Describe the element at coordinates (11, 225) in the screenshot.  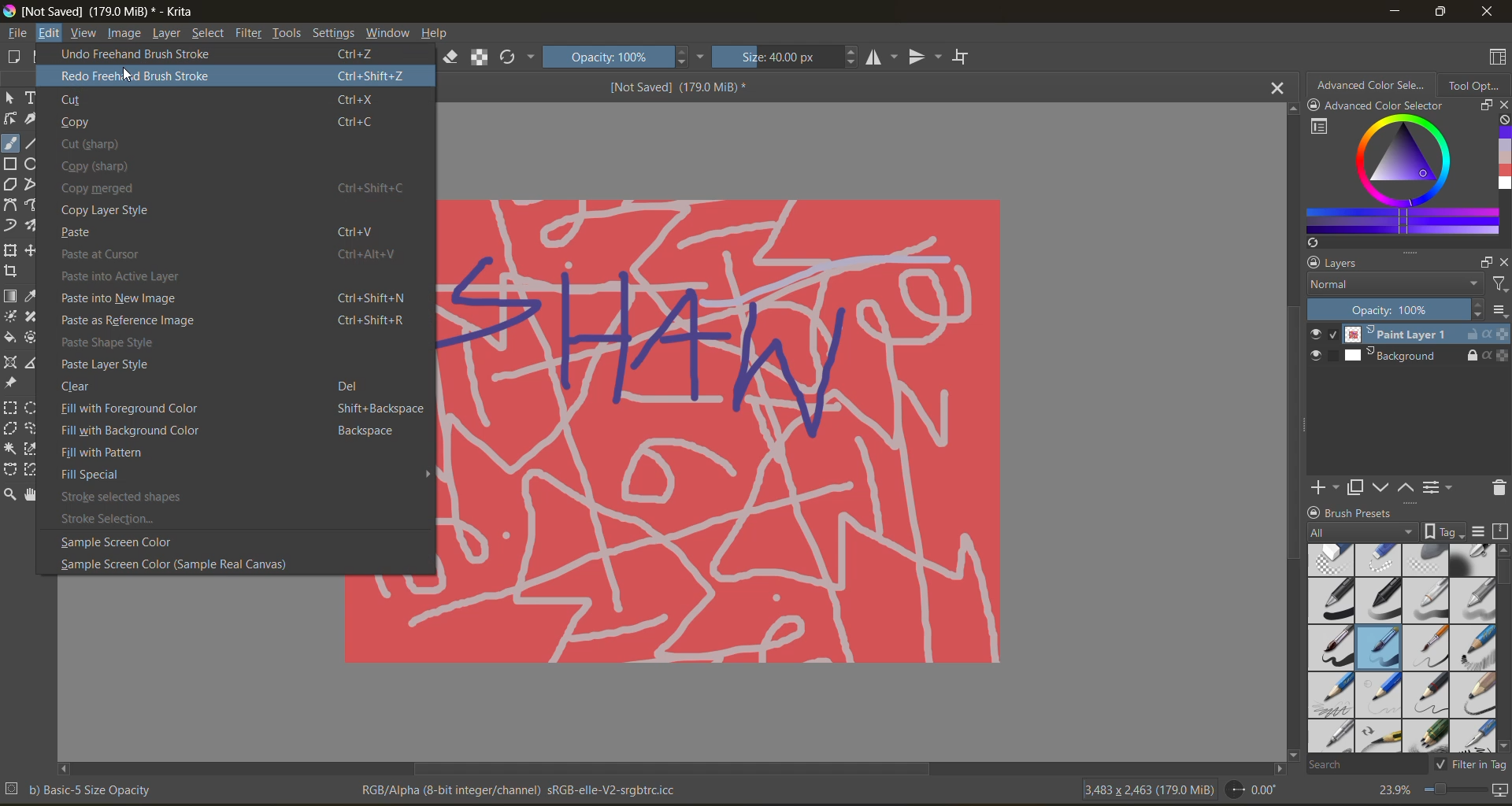
I see `dynamic brush tool` at that location.